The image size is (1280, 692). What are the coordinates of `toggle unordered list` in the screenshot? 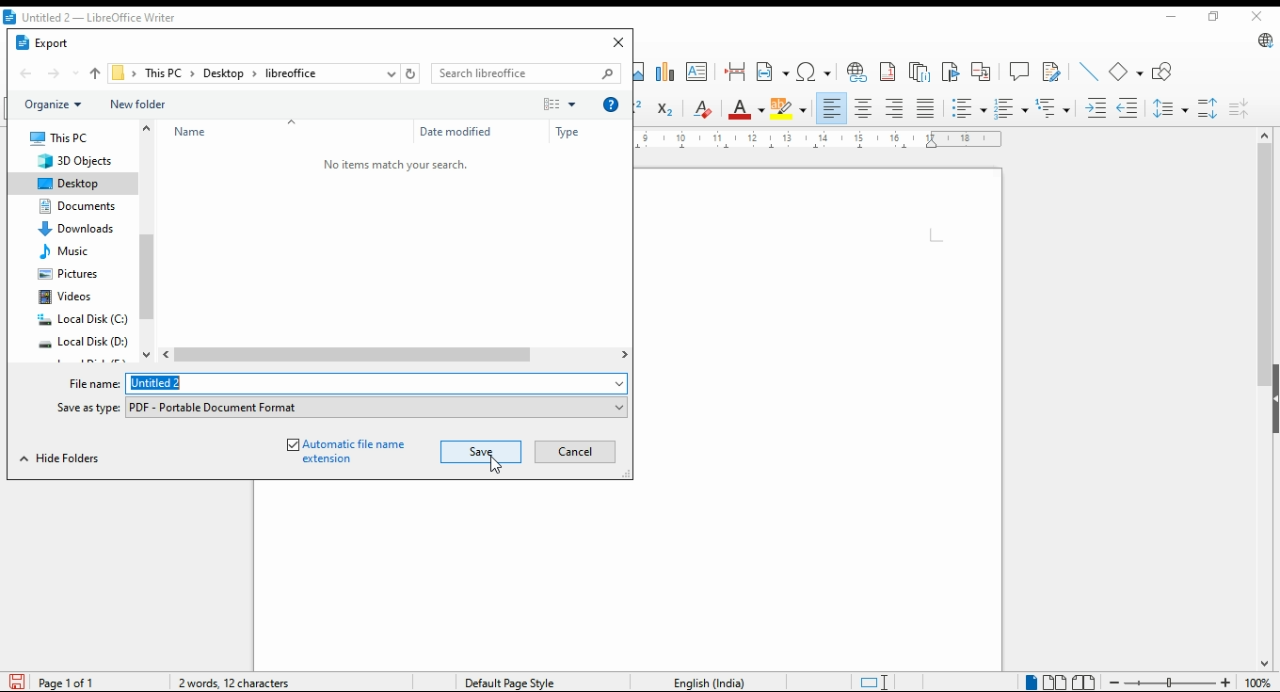 It's located at (1010, 109).